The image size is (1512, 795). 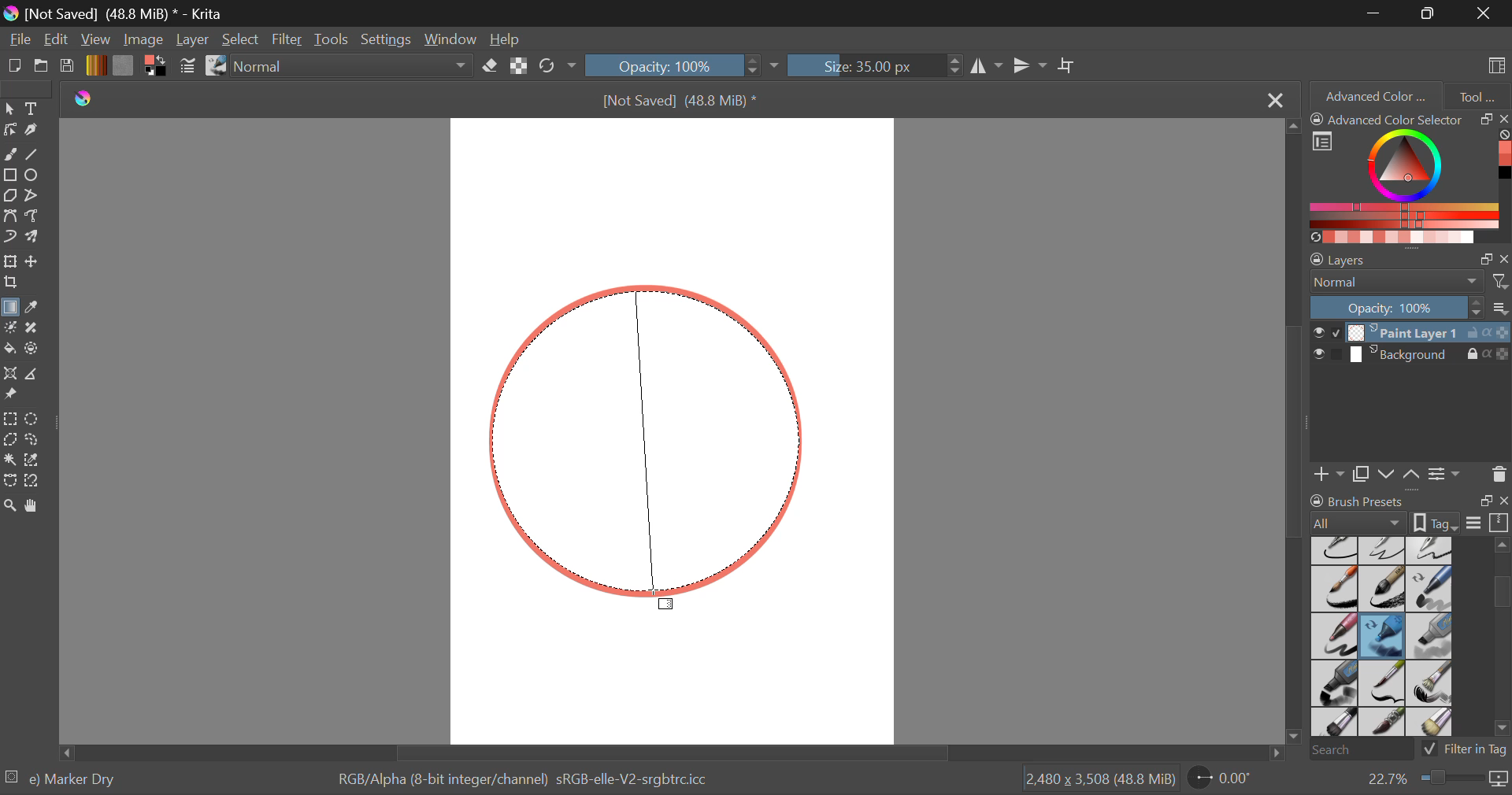 I want to click on Blending Mode, so click(x=1410, y=282).